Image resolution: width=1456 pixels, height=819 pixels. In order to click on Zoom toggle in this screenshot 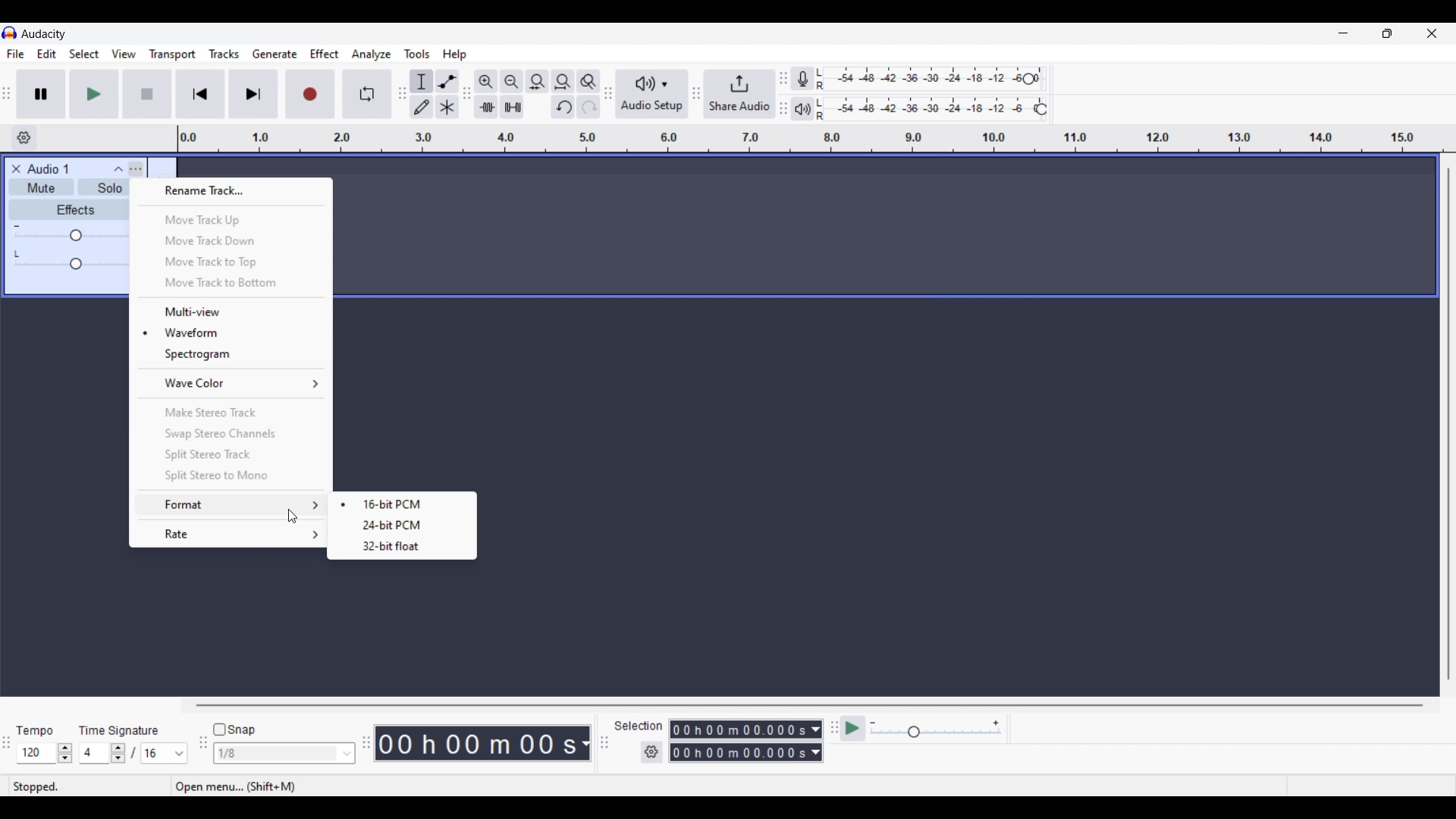, I will do `click(588, 81)`.